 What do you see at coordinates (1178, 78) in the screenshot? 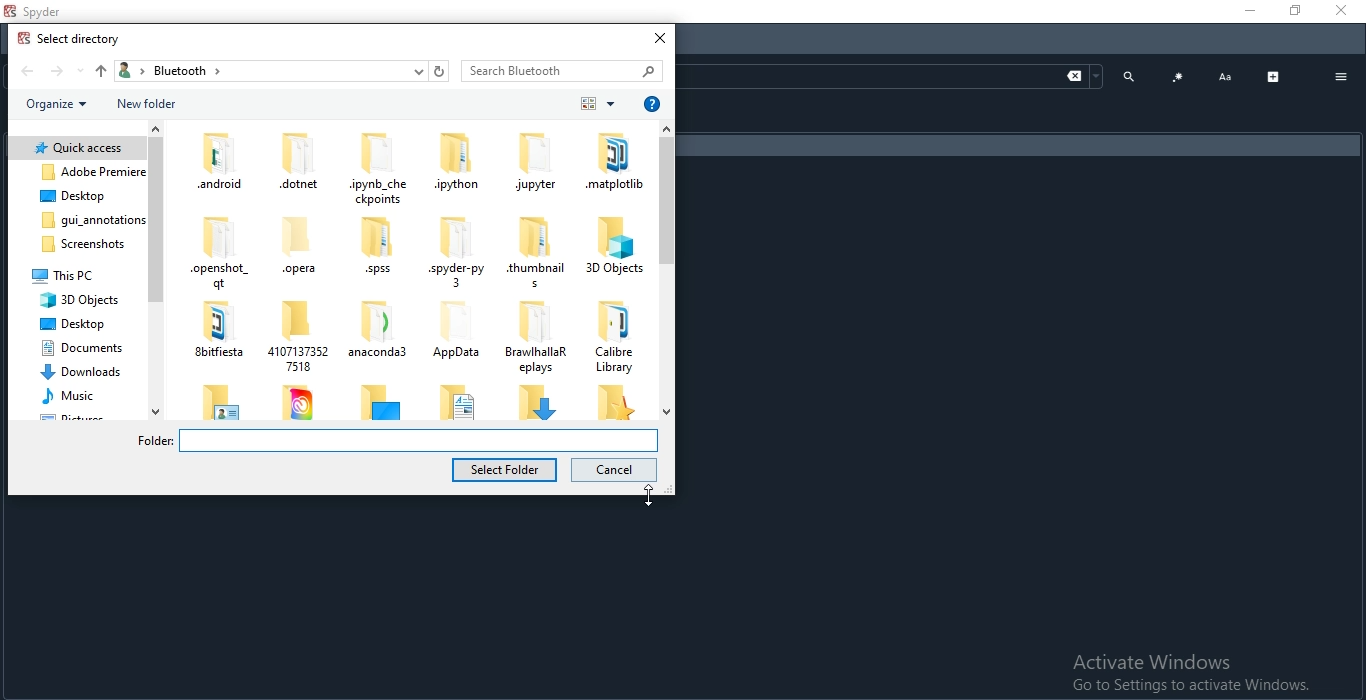
I see `code block` at bounding box center [1178, 78].